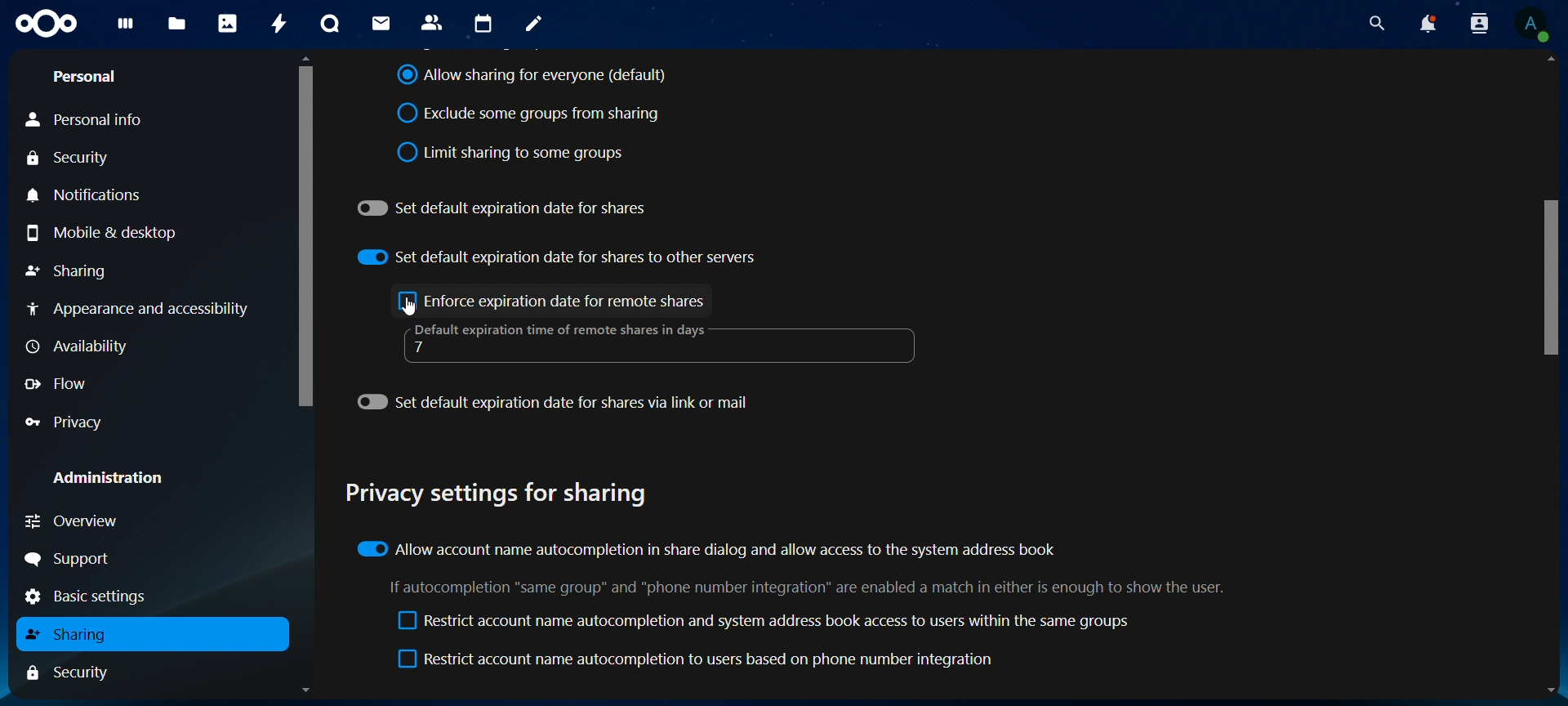  Describe the element at coordinates (557, 405) in the screenshot. I see `Set default expiration date` at that location.